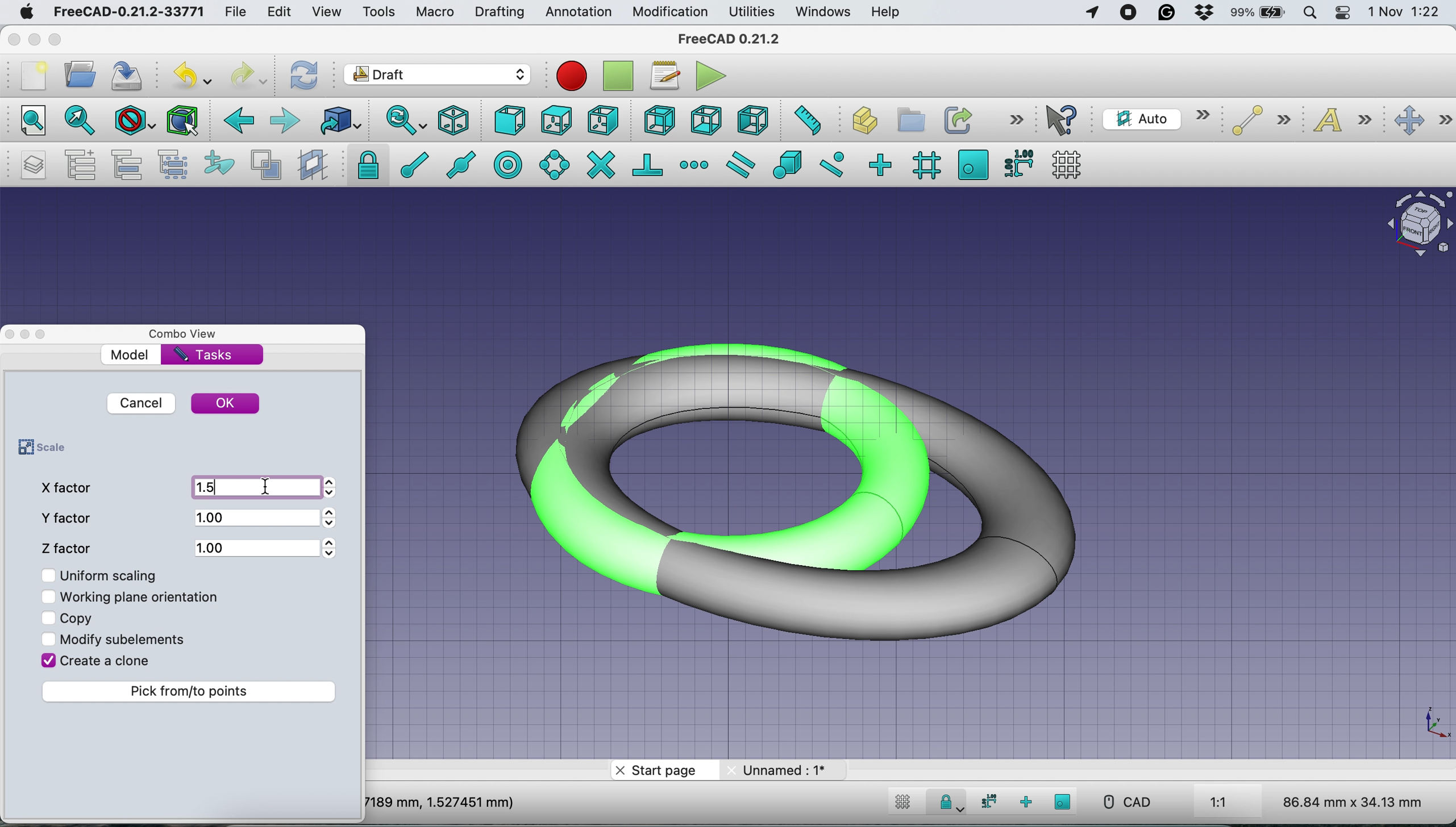 The width and height of the screenshot is (1456, 827). I want to click on create group, so click(908, 118).